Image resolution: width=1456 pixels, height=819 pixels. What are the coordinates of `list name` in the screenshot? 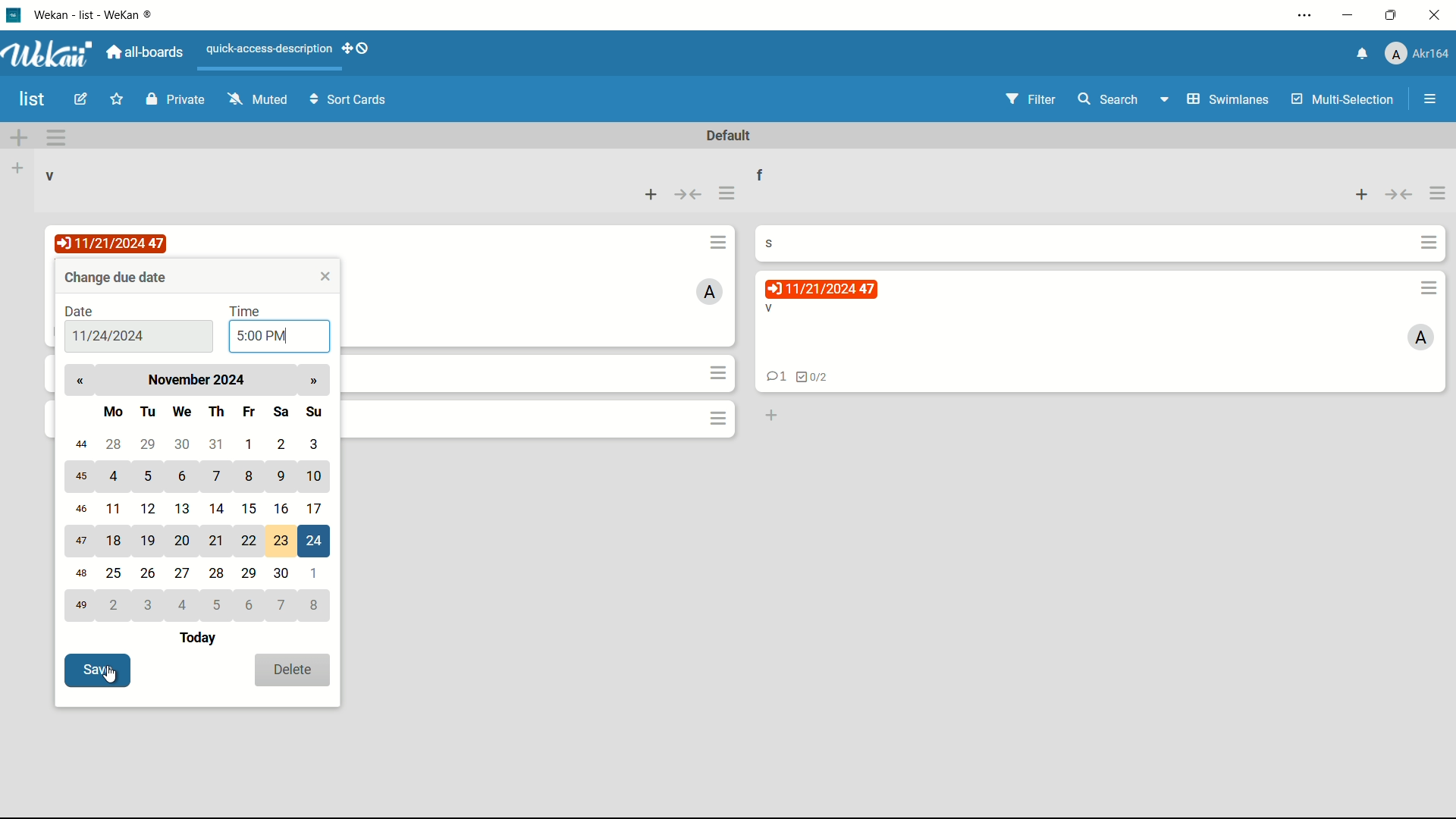 It's located at (51, 177).